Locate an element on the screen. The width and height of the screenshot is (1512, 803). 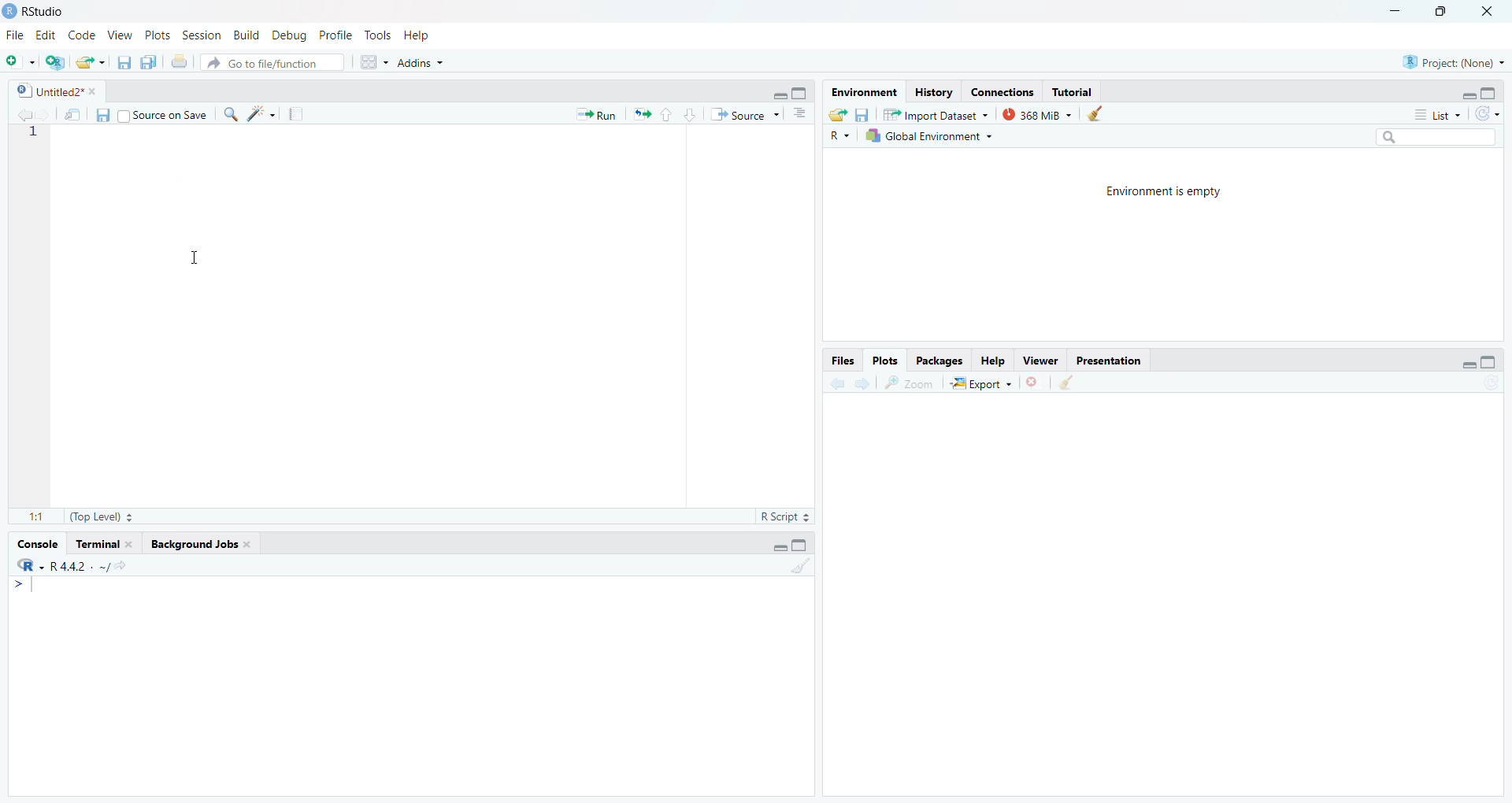
export is located at coordinates (835, 113).